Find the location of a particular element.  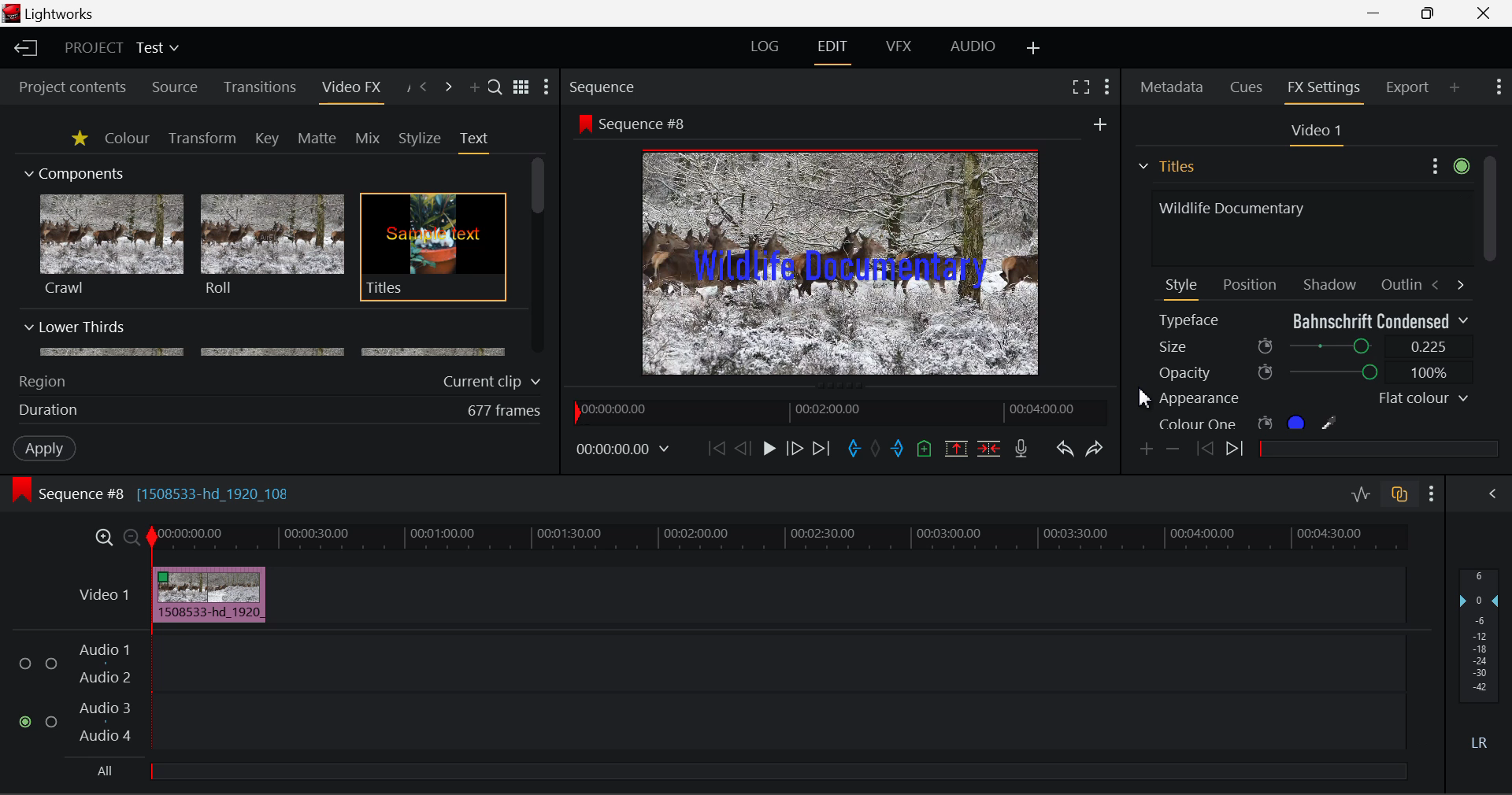

Show Settings is located at coordinates (1499, 85).